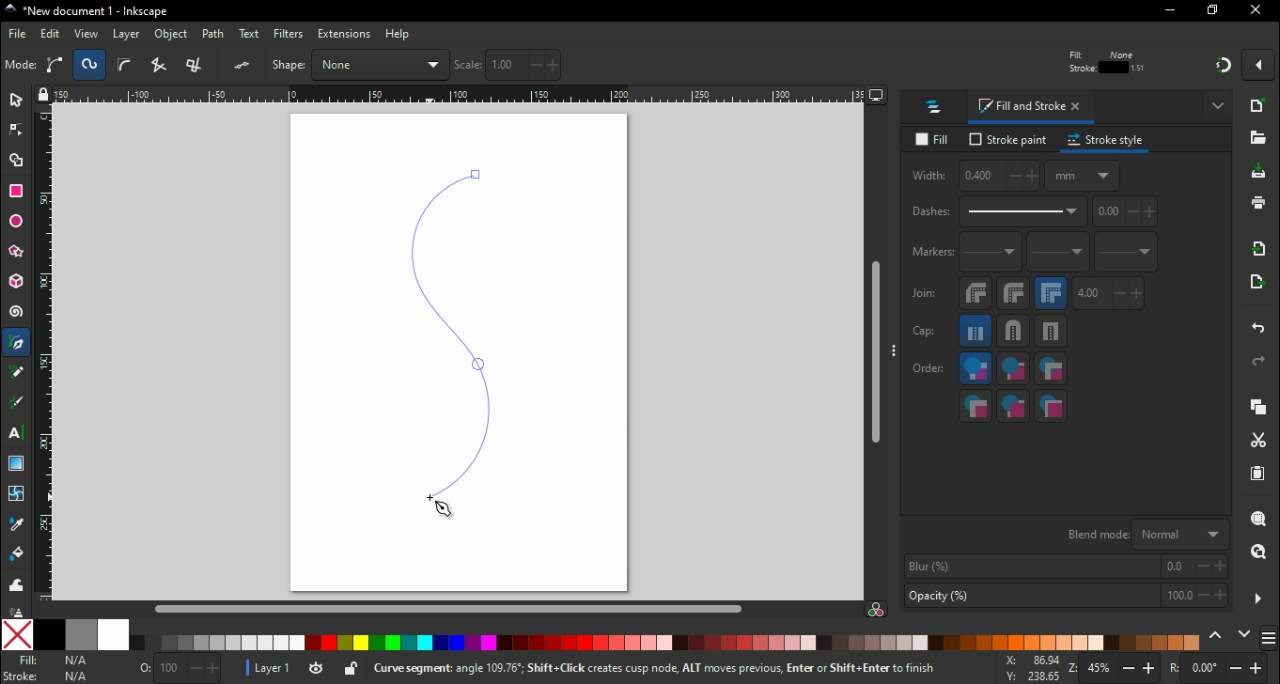 The height and width of the screenshot is (684, 1280). What do you see at coordinates (216, 34) in the screenshot?
I see `path` at bounding box center [216, 34].